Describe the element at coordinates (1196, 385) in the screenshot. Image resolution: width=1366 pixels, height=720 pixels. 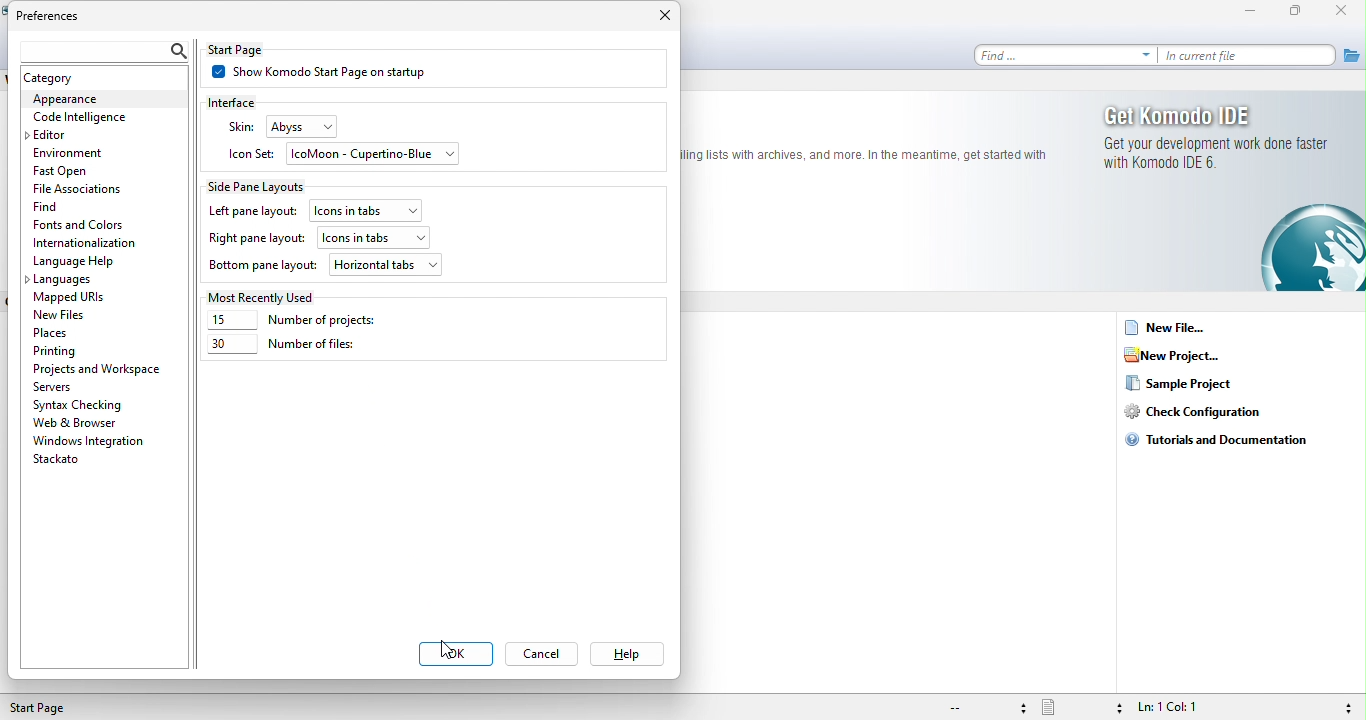
I see `sample project` at that location.